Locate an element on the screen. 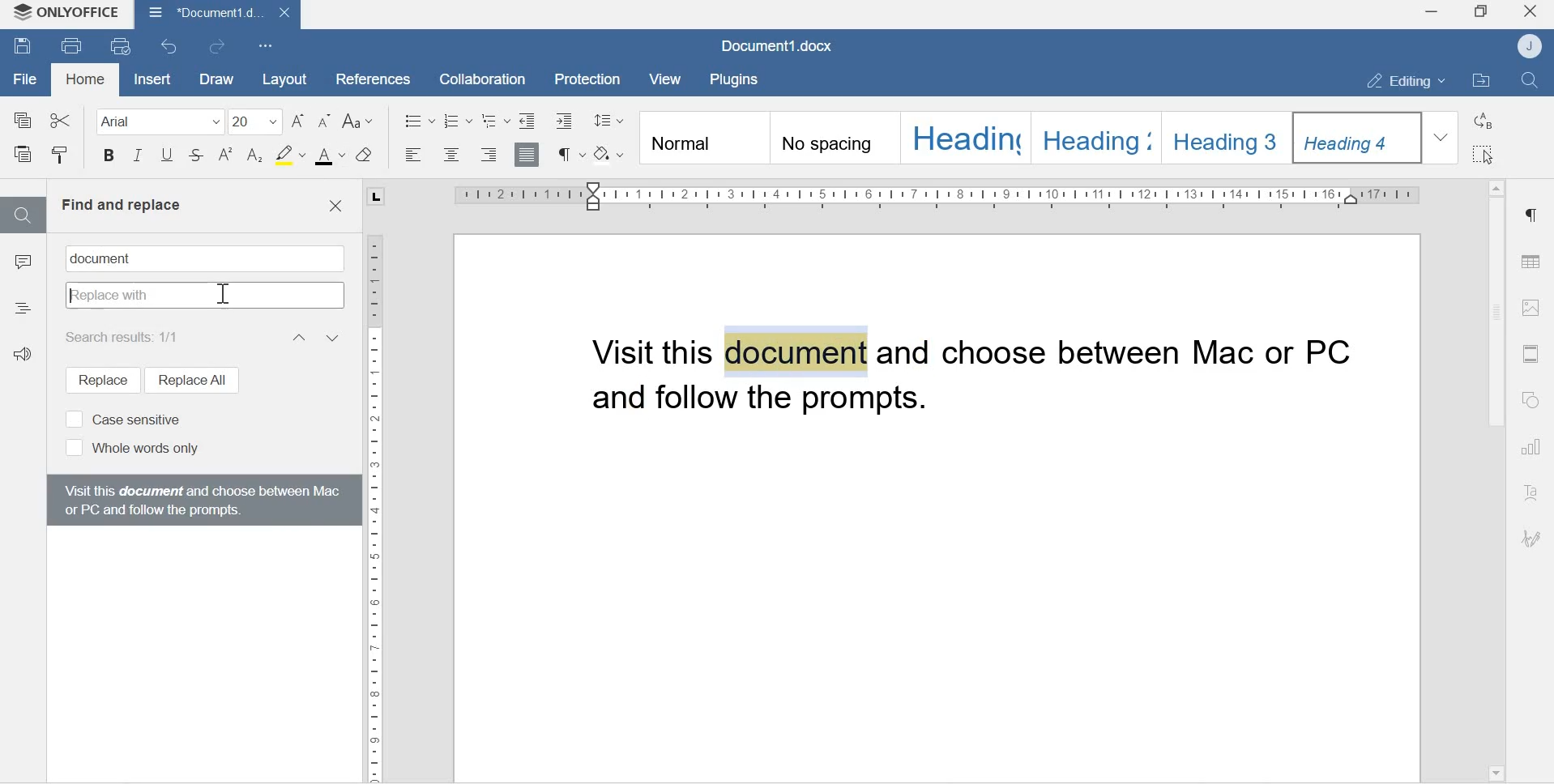  Paragraph settings is located at coordinates (1531, 215).